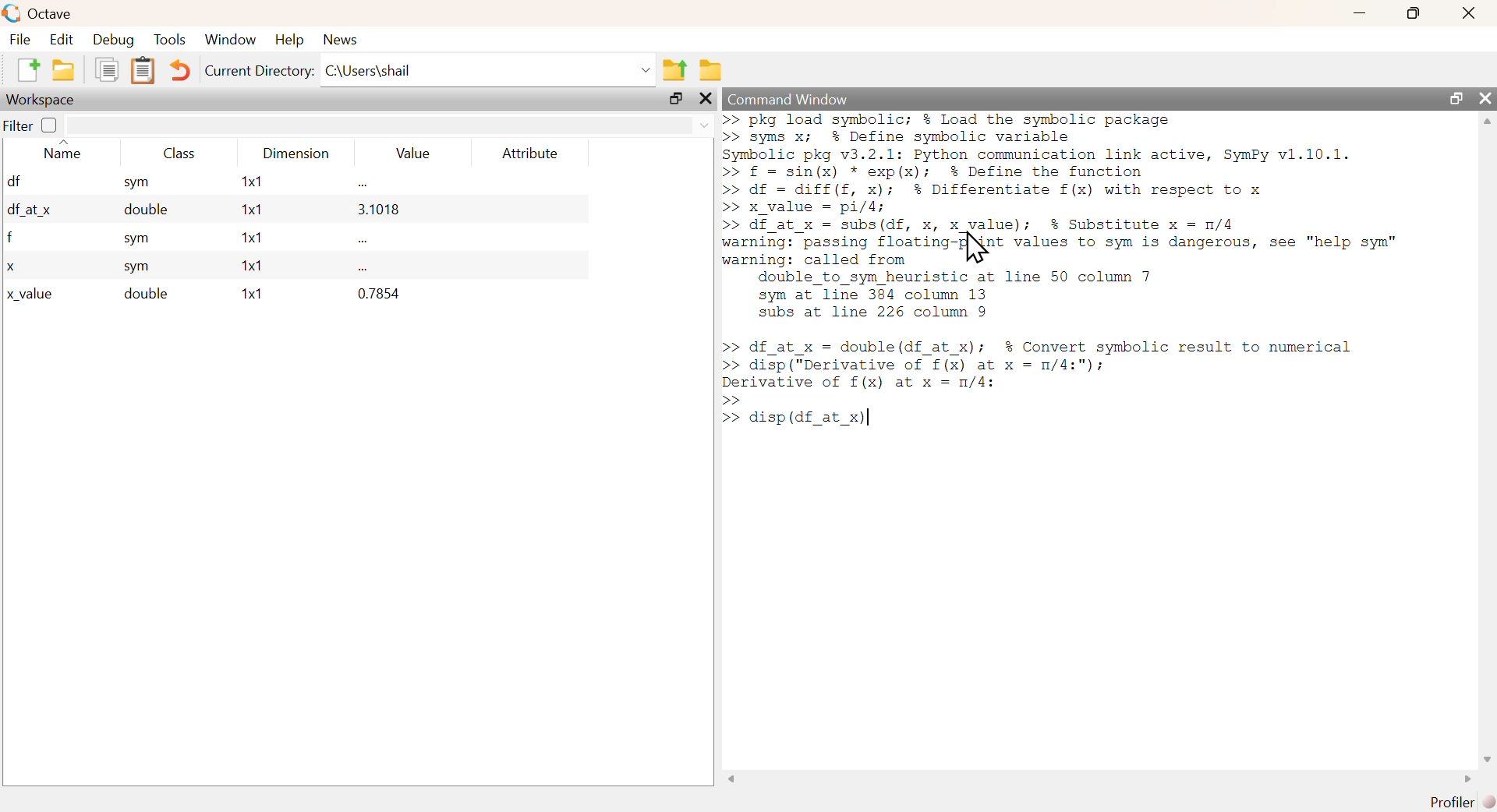 The height and width of the screenshot is (812, 1497). Describe the element at coordinates (180, 70) in the screenshot. I see `Undo` at that location.